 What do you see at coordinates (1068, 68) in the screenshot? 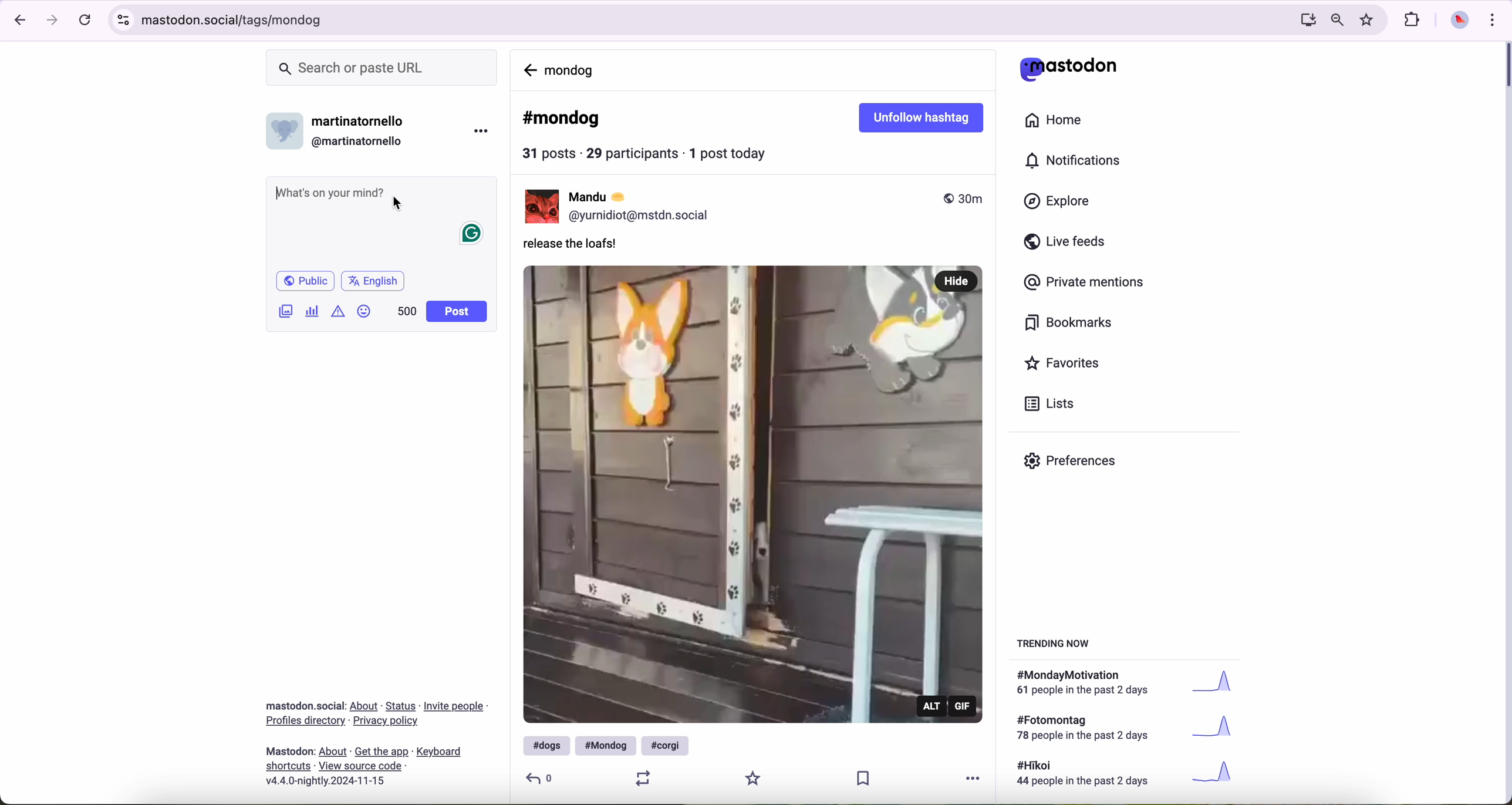
I see `mastodon logo` at bounding box center [1068, 68].